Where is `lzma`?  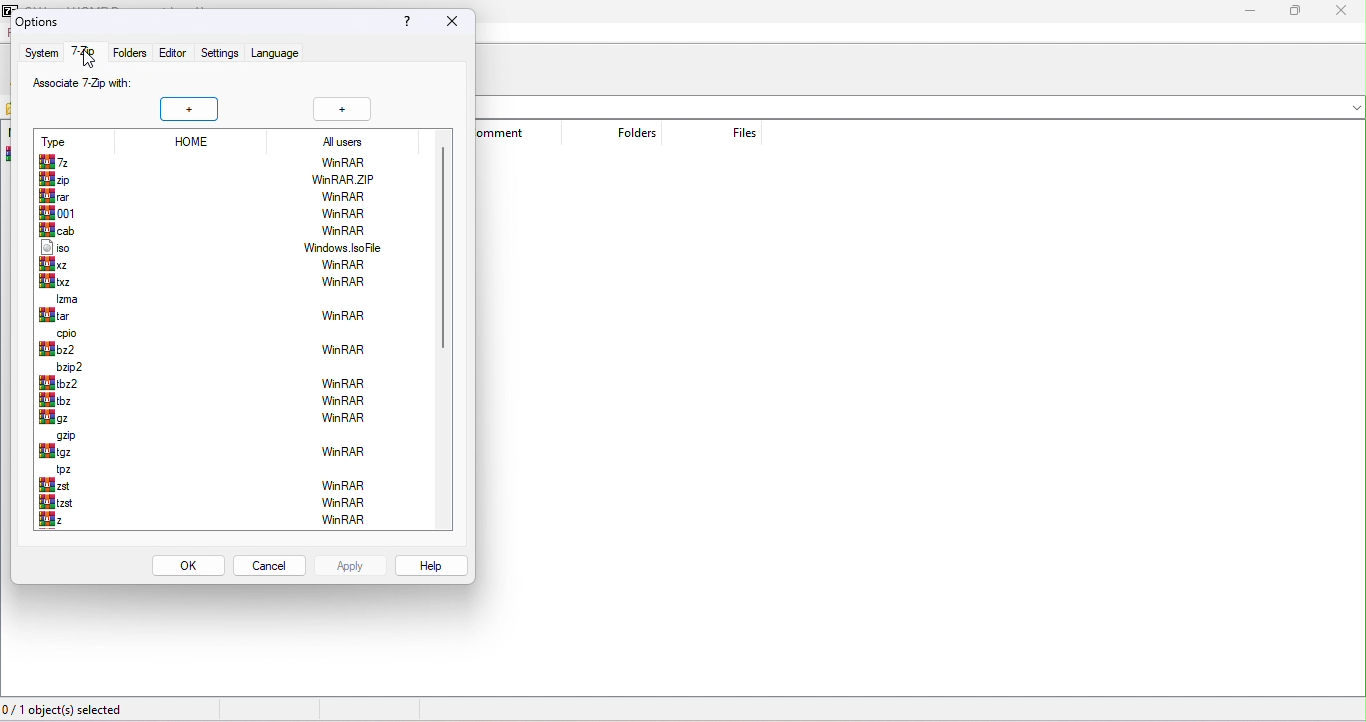
lzma is located at coordinates (62, 299).